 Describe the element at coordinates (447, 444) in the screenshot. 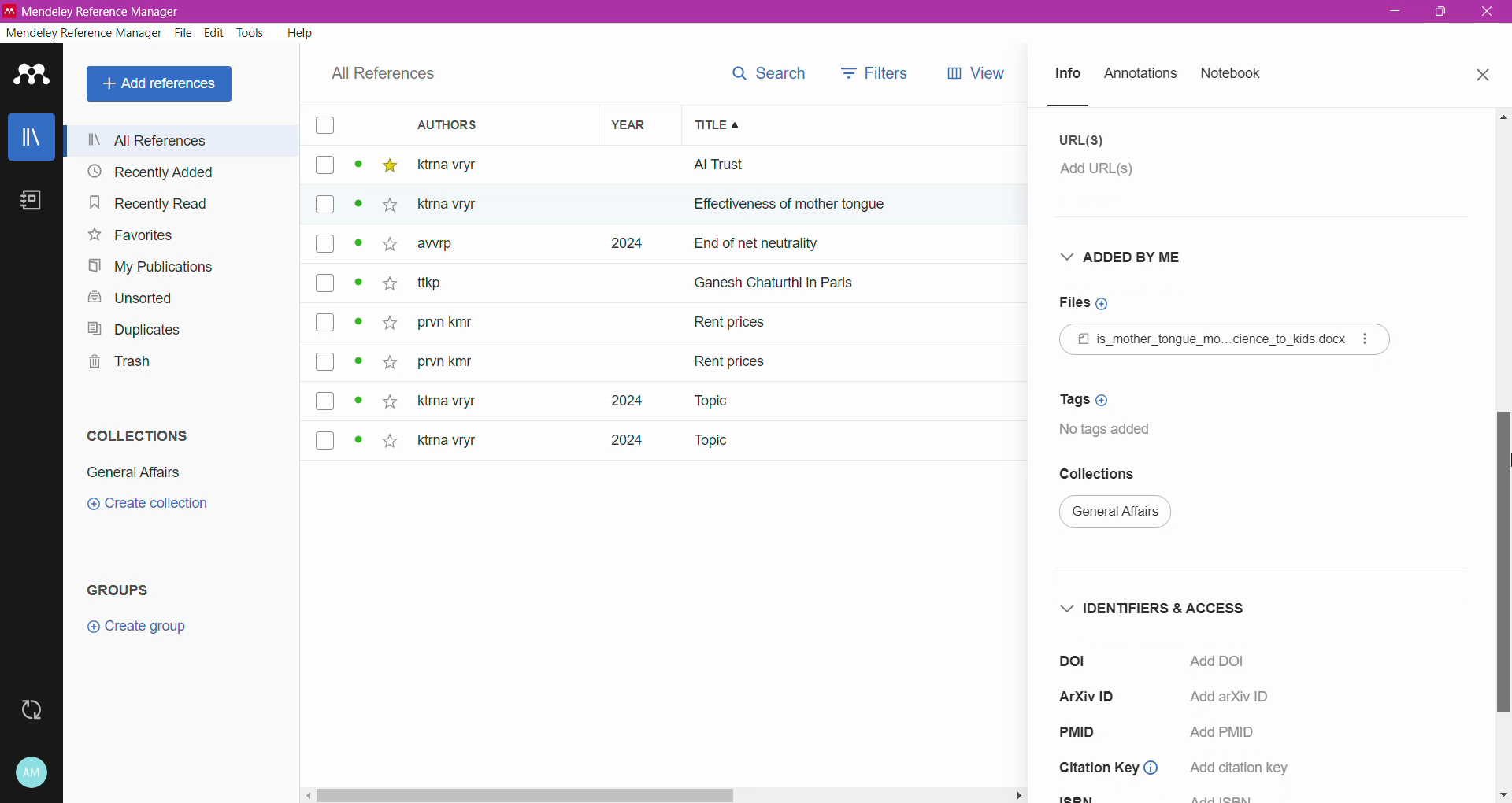

I see `ktma vryr` at that location.